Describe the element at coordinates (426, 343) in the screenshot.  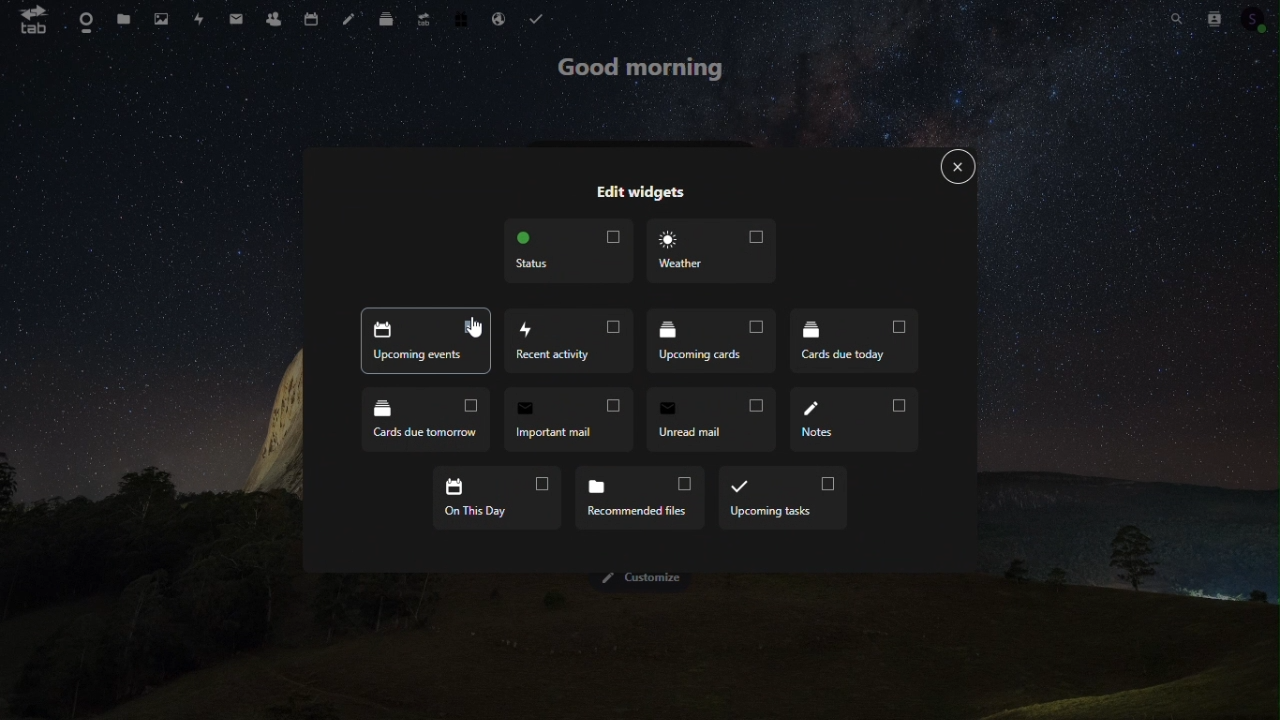
I see `Upcoming events` at that location.